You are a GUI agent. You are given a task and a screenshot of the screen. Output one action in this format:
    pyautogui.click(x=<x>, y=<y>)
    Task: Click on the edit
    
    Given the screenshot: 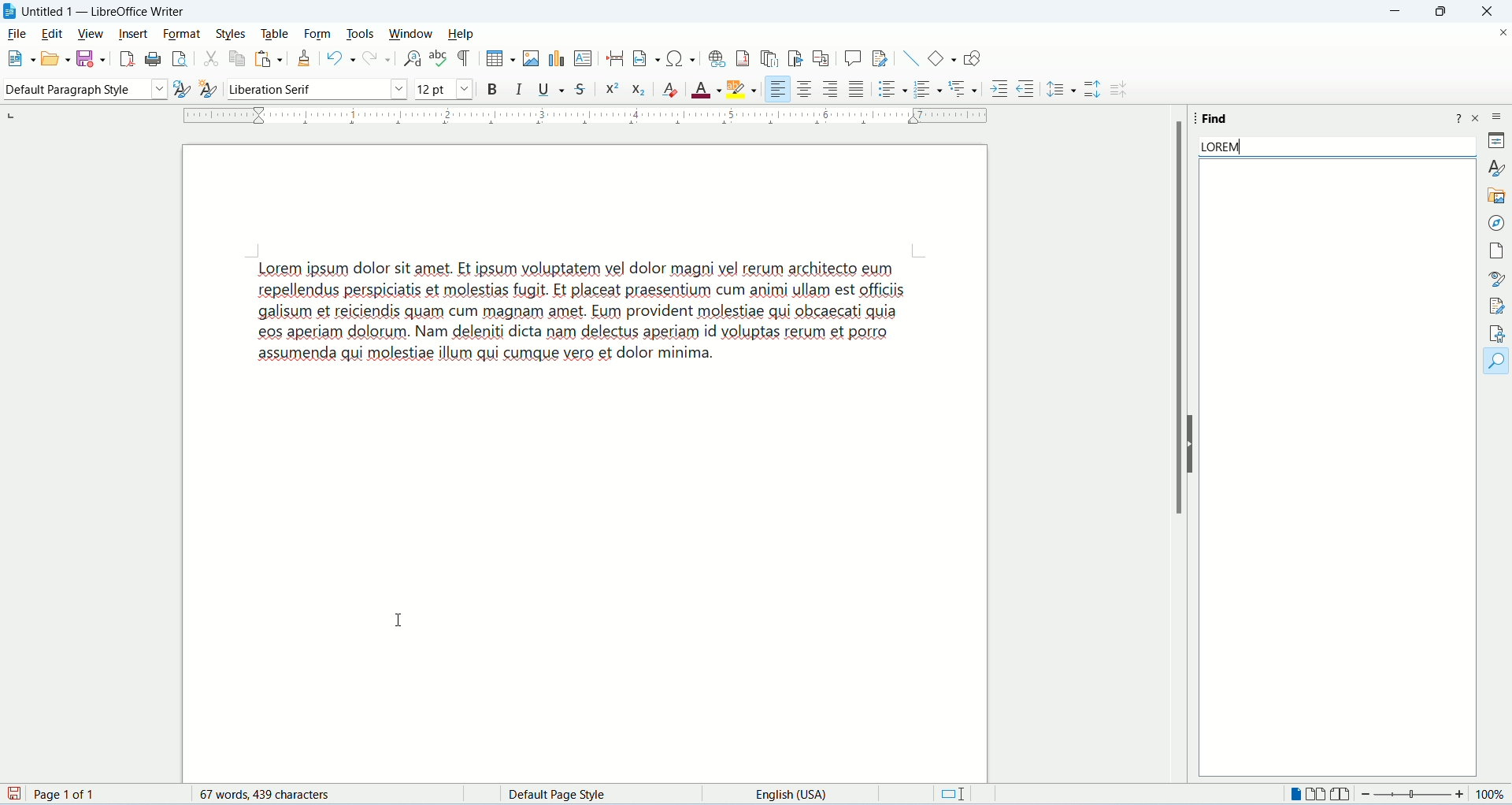 What is the action you would take?
    pyautogui.click(x=51, y=34)
    